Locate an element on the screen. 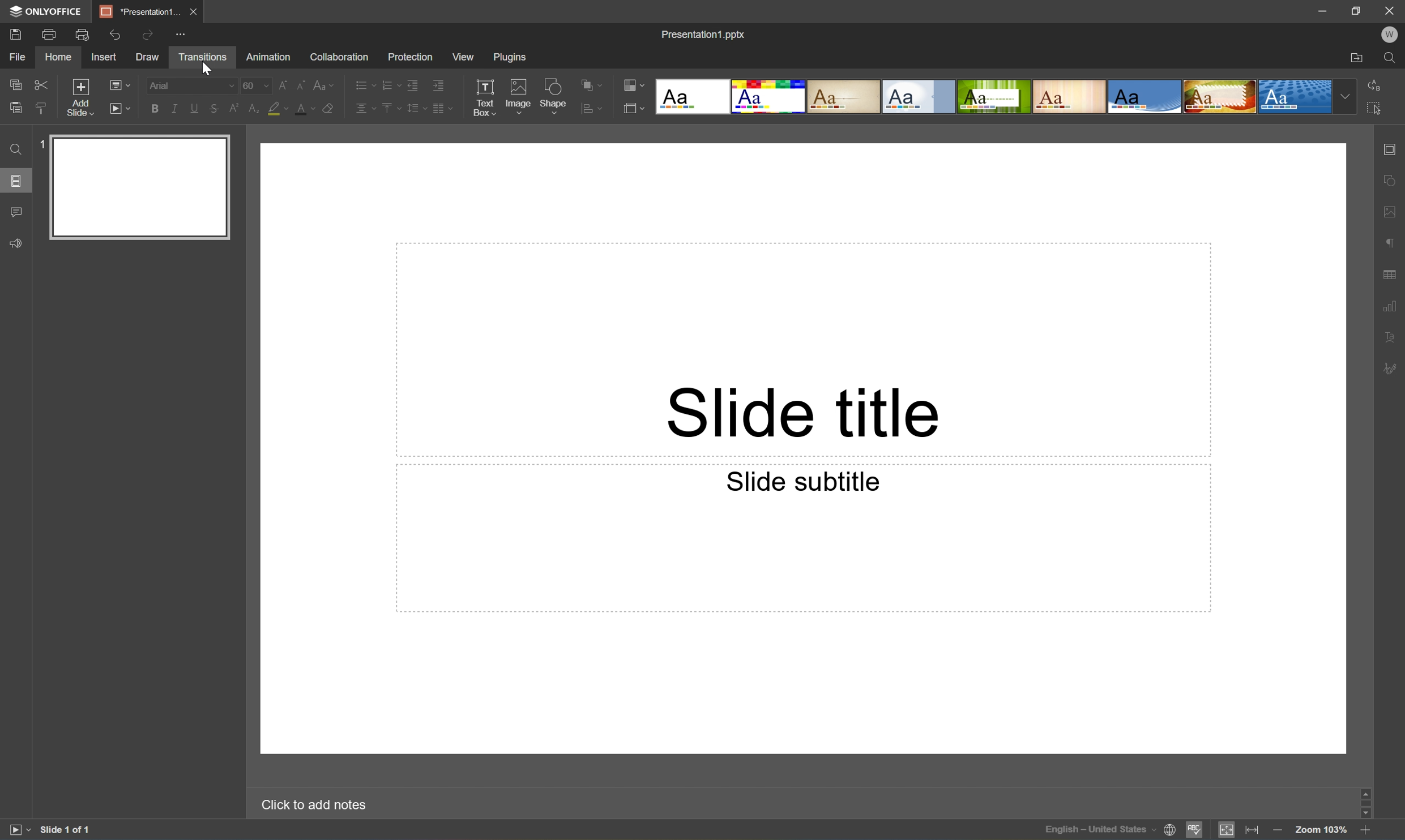  Select slide size is located at coordinates (636, 110).